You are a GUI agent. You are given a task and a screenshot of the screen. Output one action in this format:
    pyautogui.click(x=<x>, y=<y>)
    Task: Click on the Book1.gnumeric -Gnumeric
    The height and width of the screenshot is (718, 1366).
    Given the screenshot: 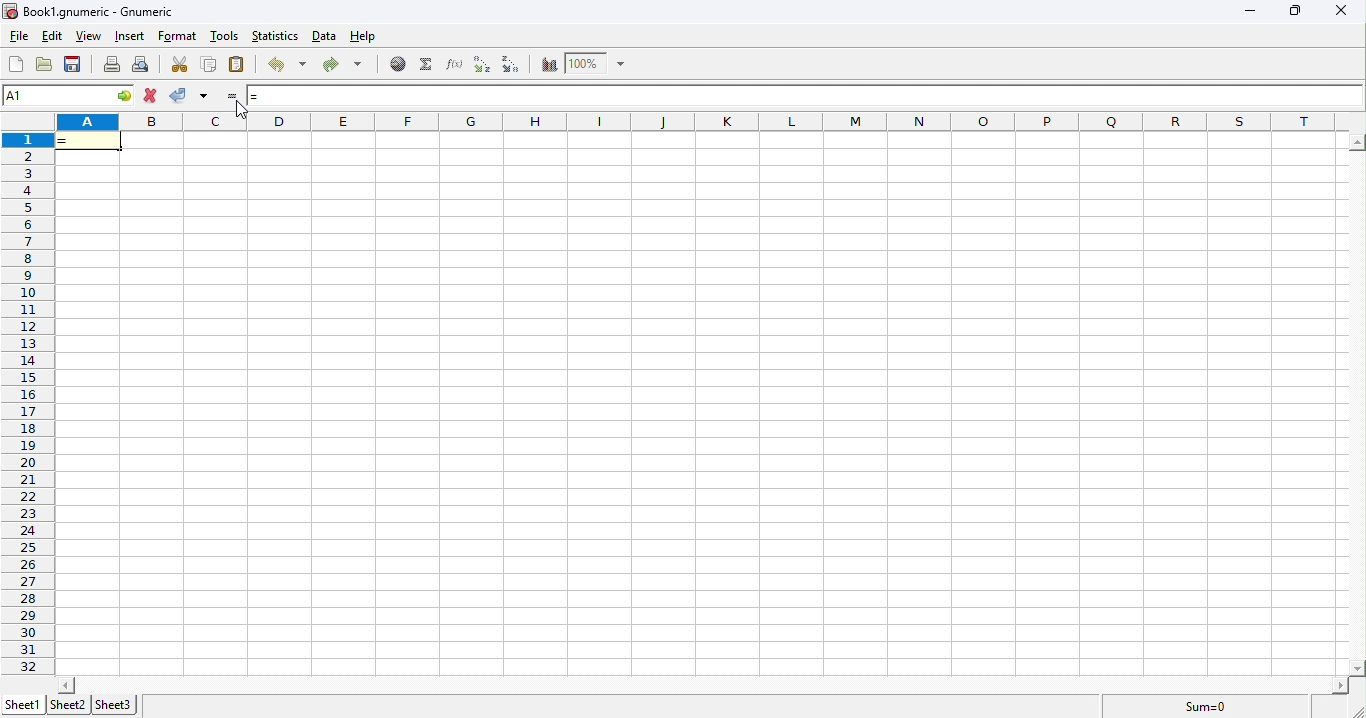 What is the action you would take?
    pyautogui.click(x=90, y=11)
    